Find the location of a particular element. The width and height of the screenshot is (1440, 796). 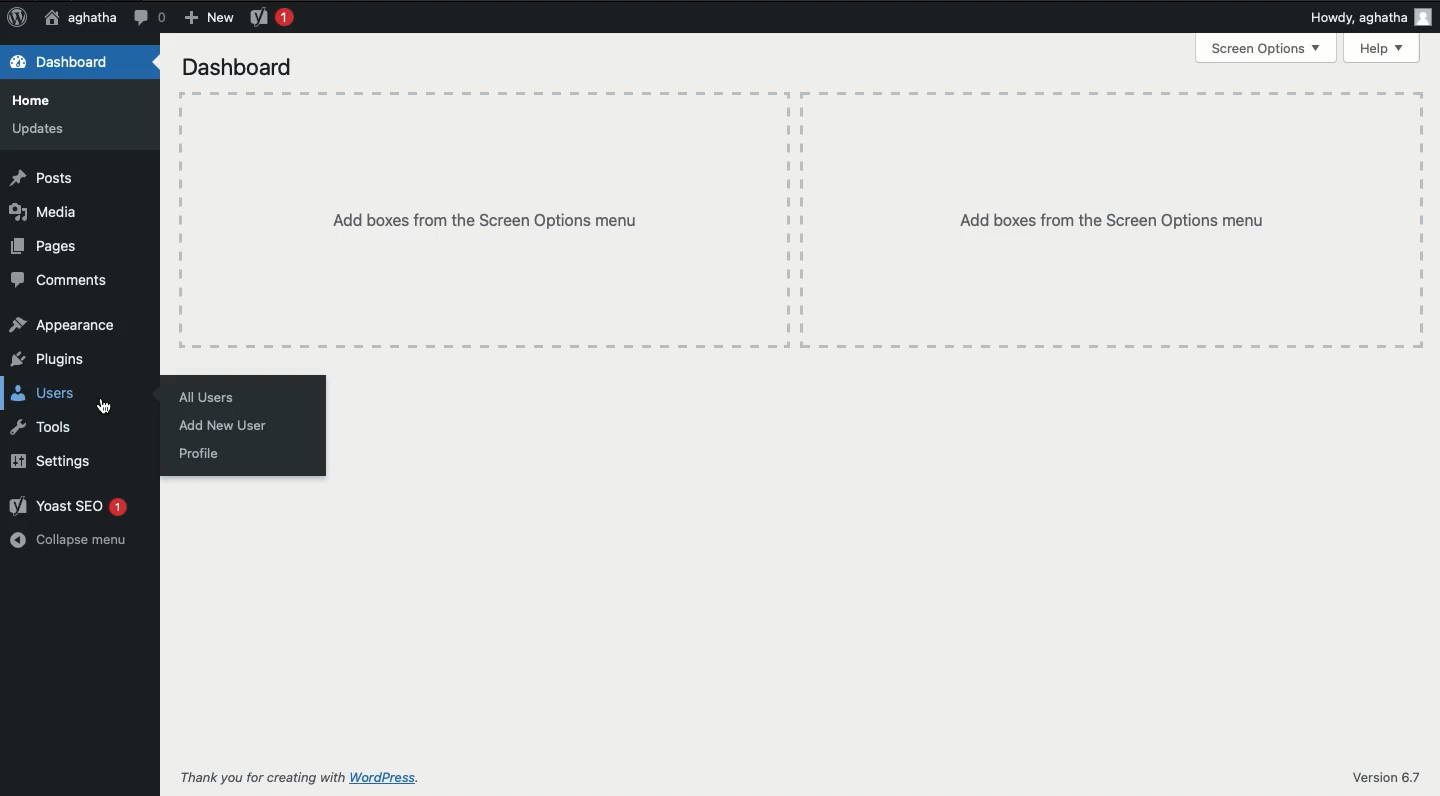

wordpress is located at coordinates (383, 775).